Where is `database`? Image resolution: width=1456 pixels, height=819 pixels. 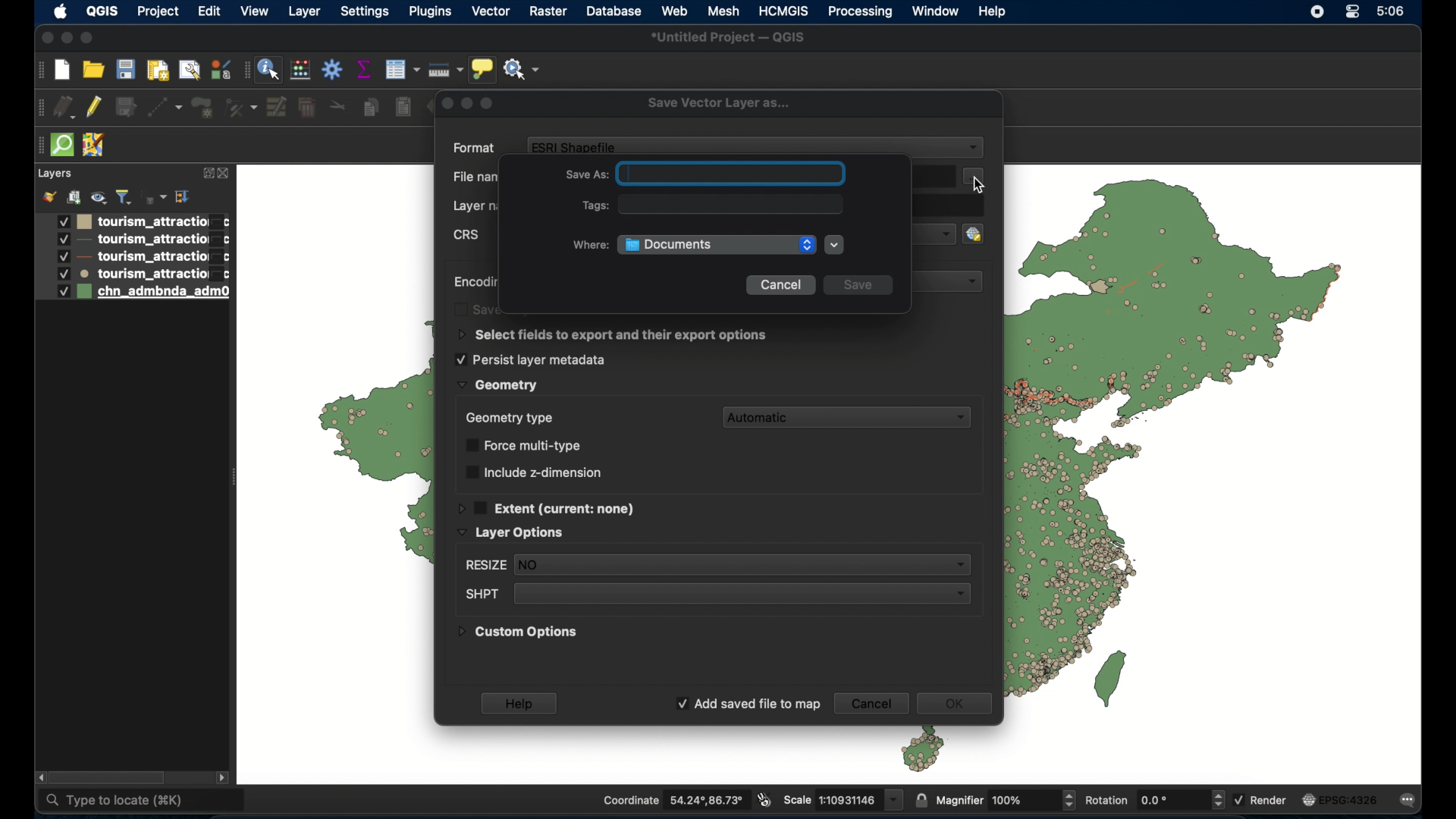 database is located at coordinates (613, 11).